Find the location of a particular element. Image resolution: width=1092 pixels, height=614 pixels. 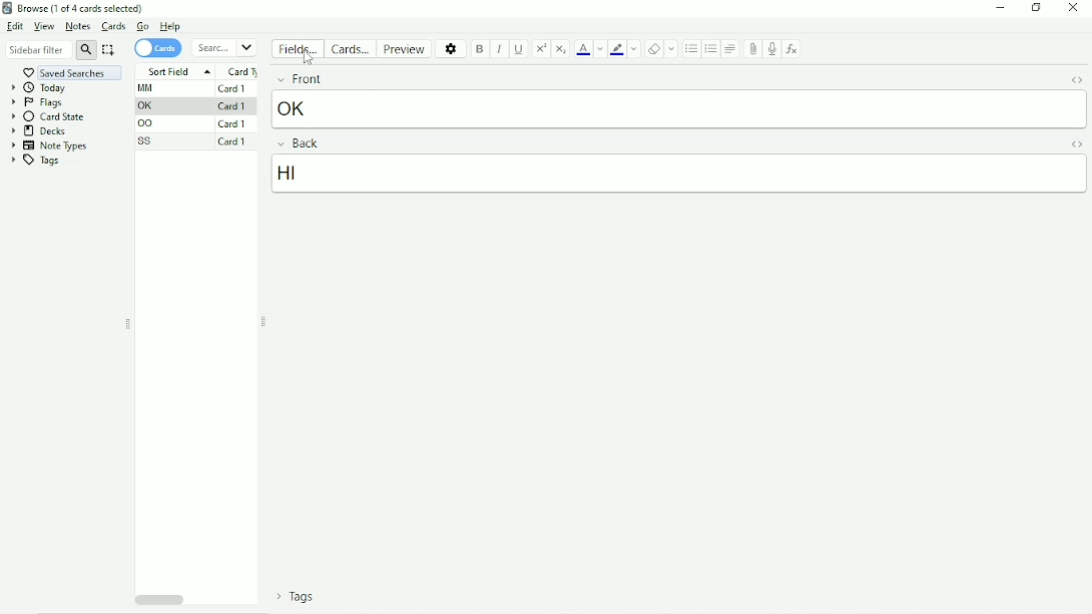

Edit is located at coordinates (16, 27).